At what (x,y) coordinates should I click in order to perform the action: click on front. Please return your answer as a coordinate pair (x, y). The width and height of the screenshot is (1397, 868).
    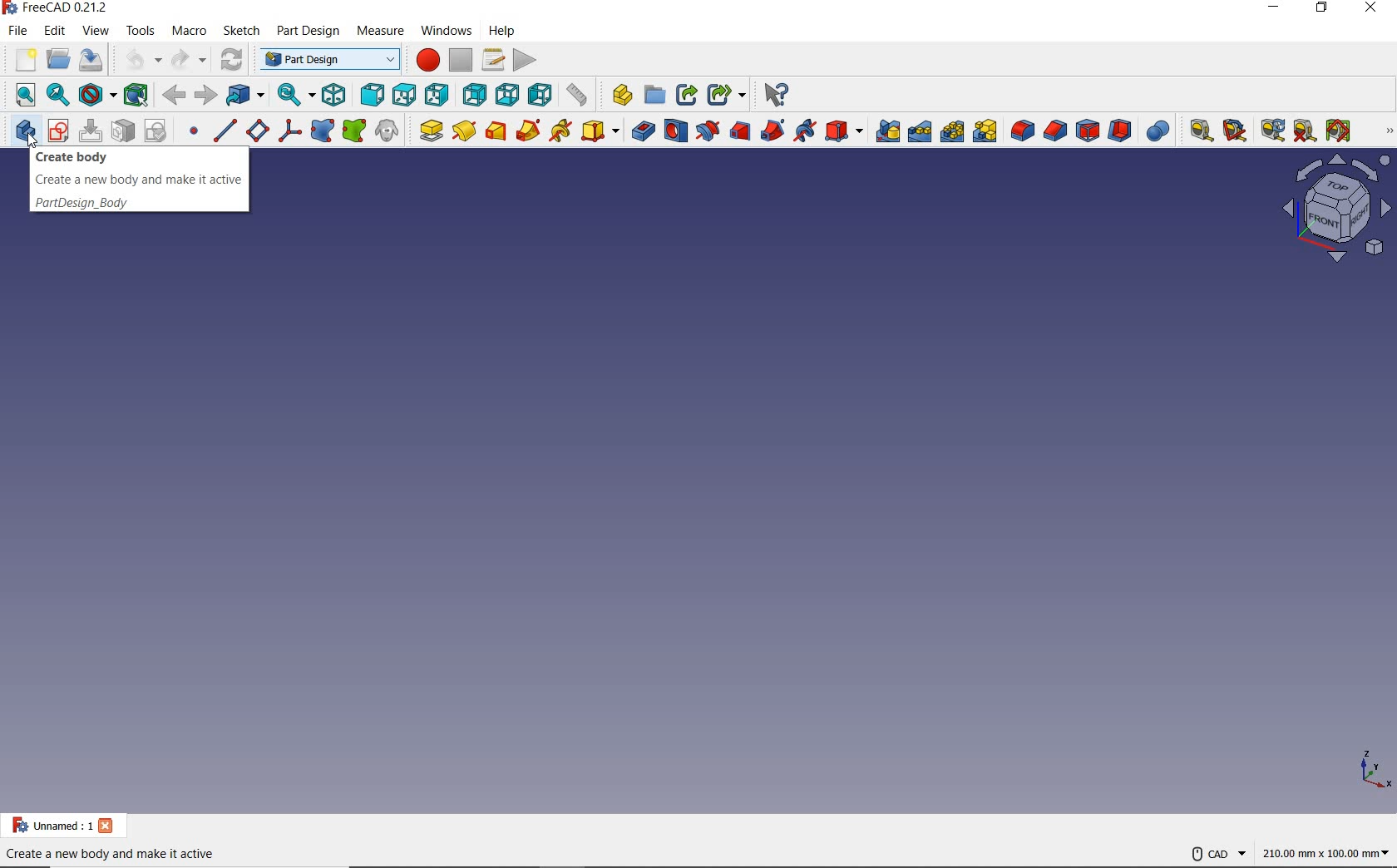
    Looking at the image, I should click on (371, 95).